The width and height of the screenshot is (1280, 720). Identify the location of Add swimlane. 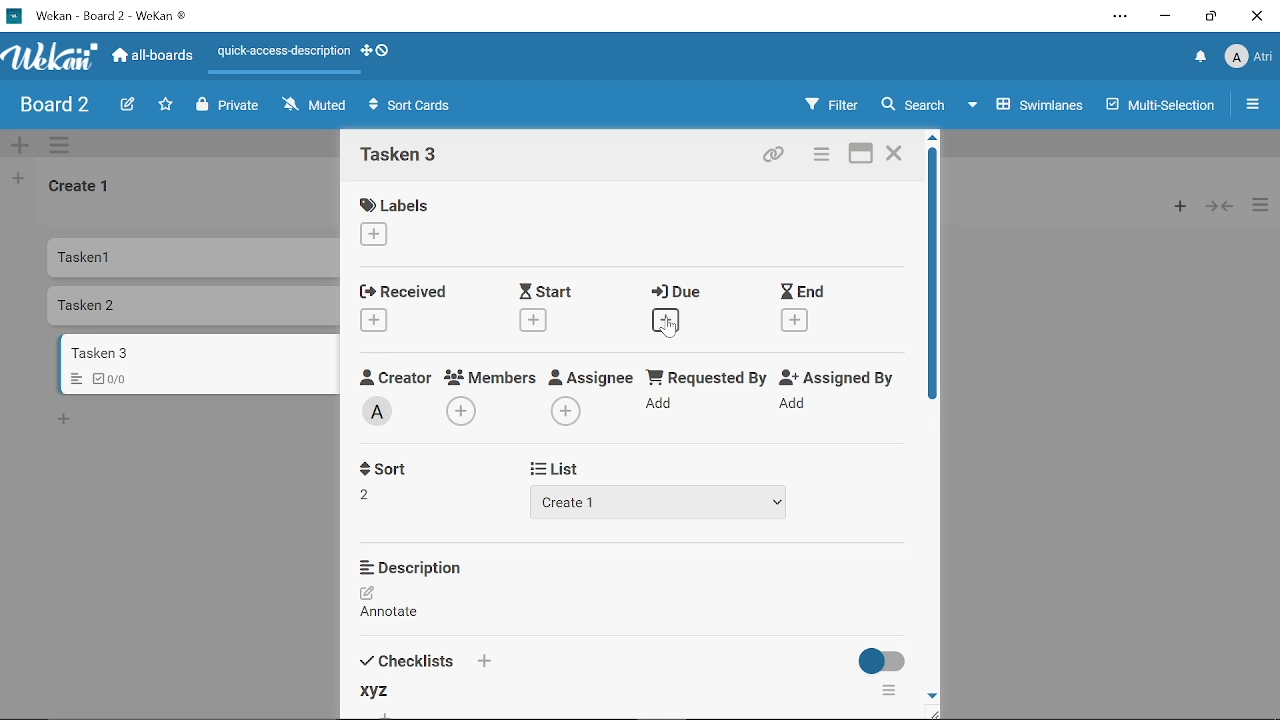
(22, 145).